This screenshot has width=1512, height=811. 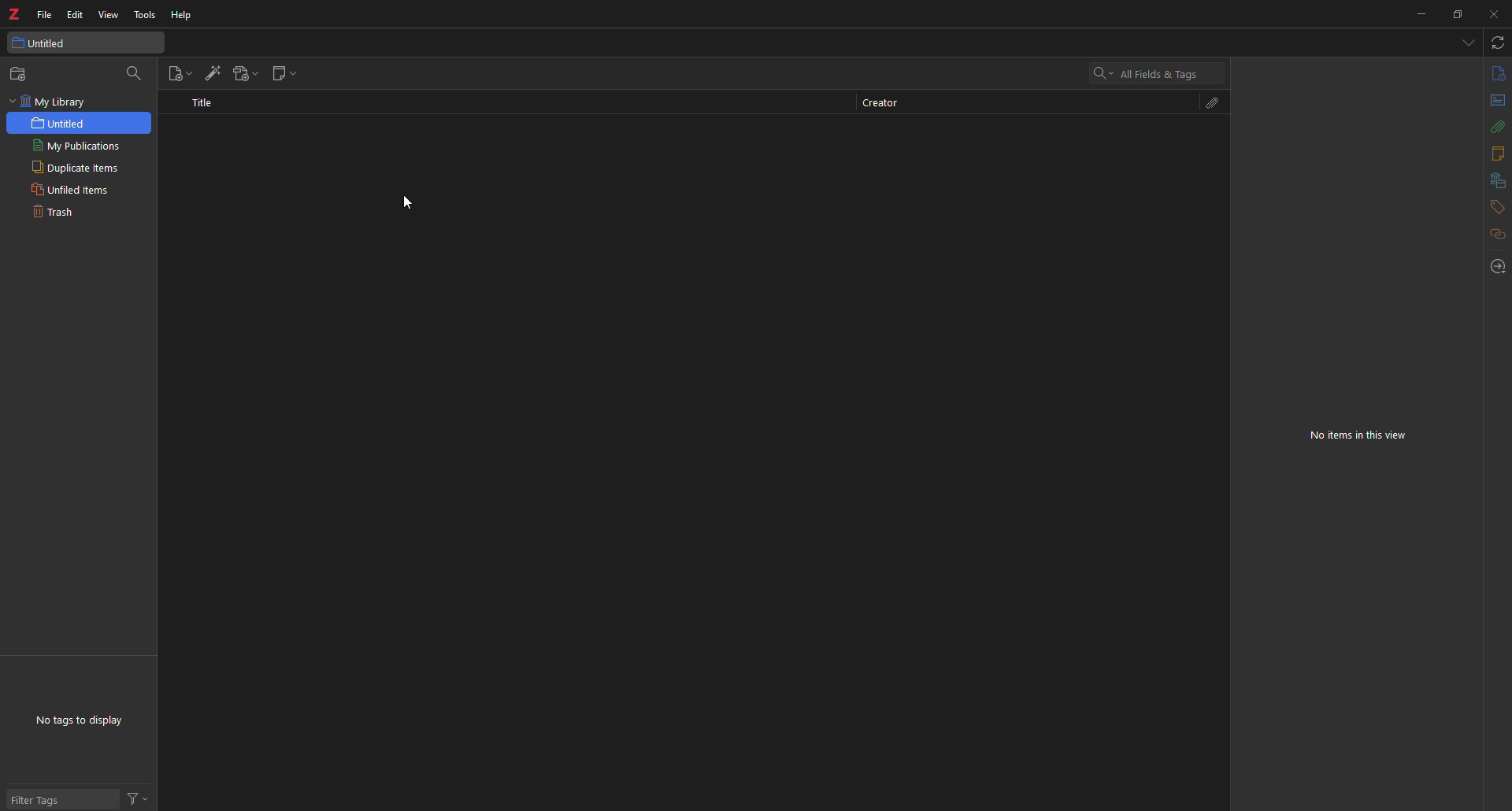 What do you see at coordinates (1495, 128) in the screenshot?
I see `attach` at bounding box center [1495, 128].